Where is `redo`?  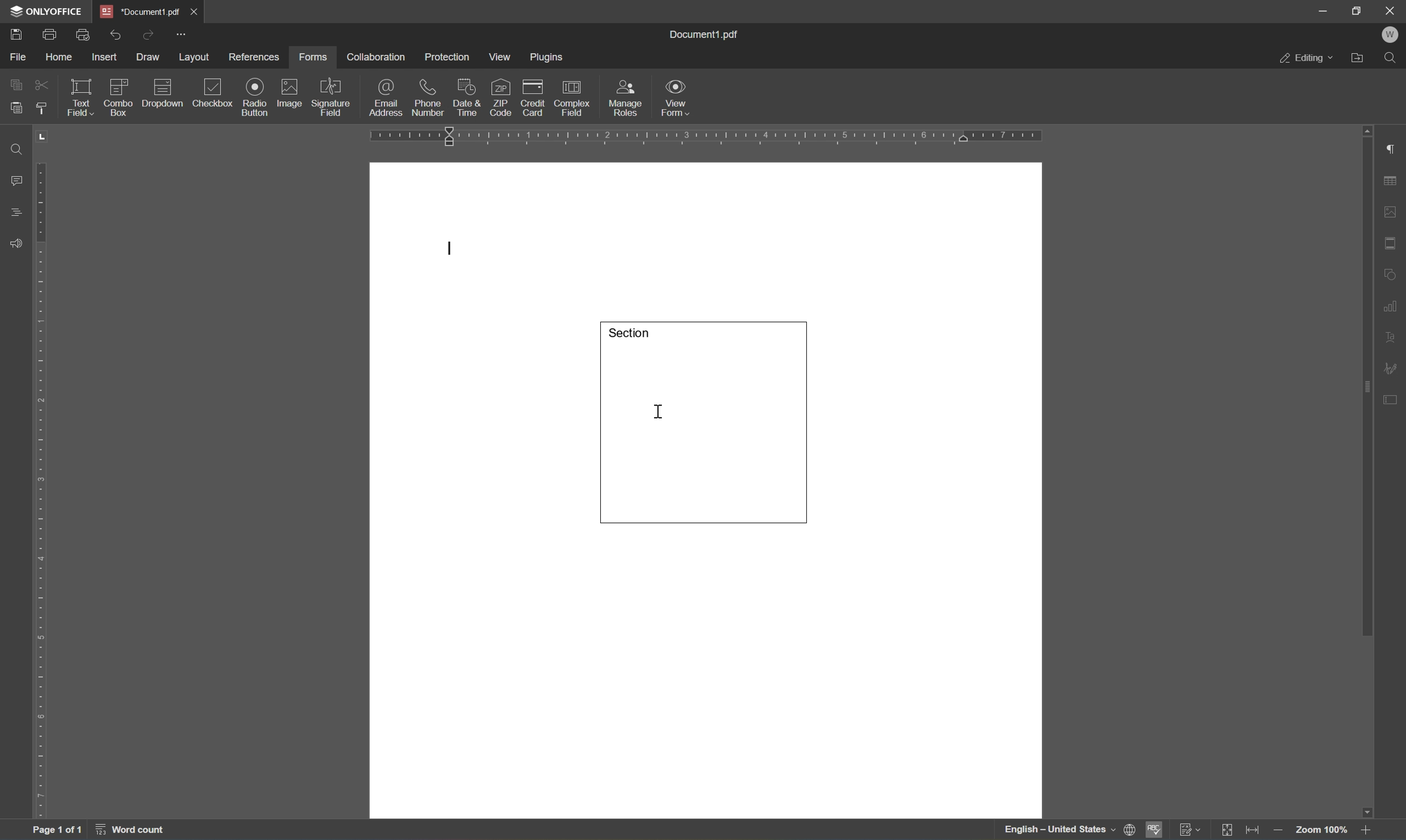
redo is located at coordinates (147, 34).